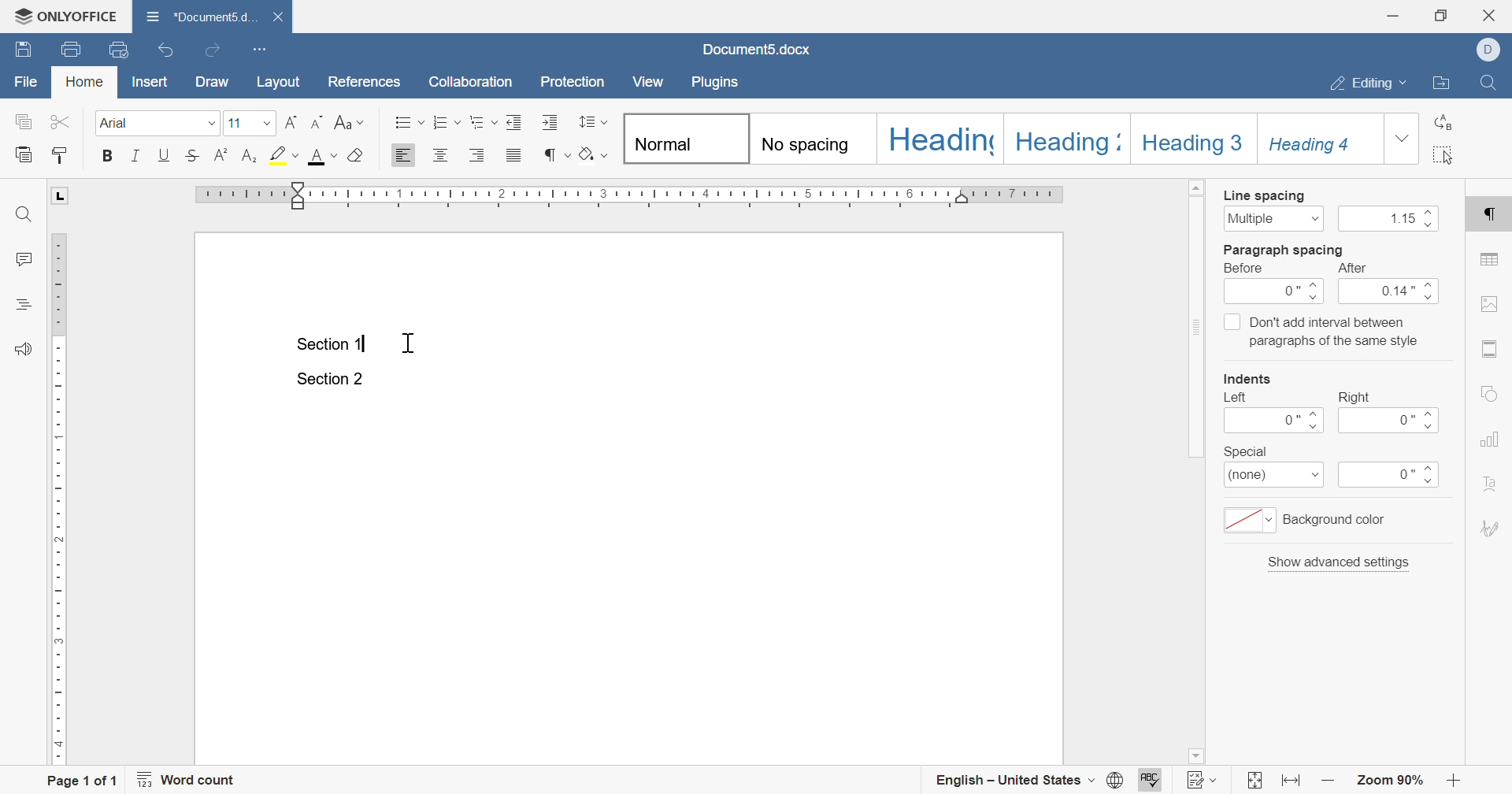 The image size is (1512, 794). I want to click on drop down, so click(265, 123).